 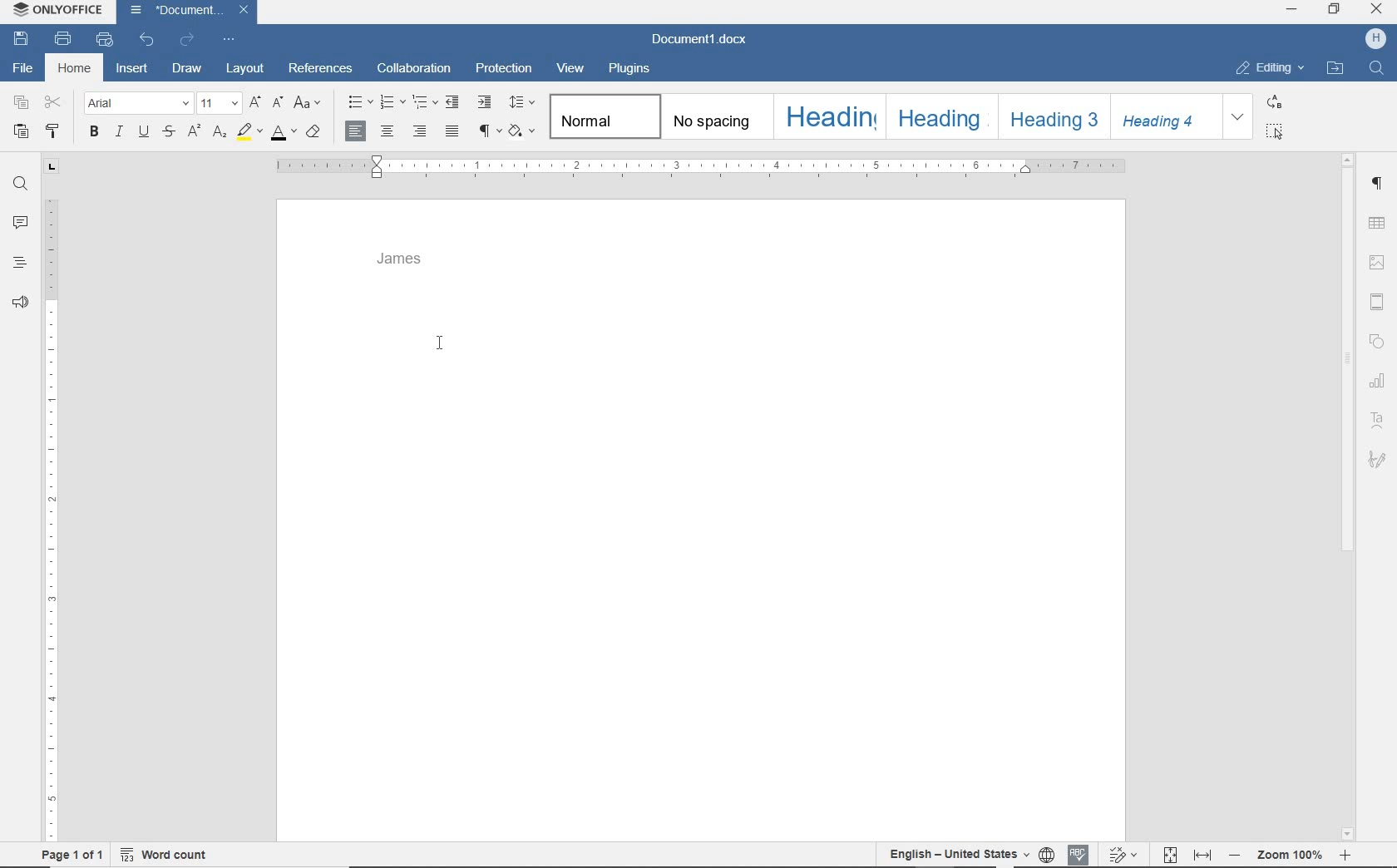 What do you see at coordinates (940, 116) in the screenshot?
I see `Heading2` at bounding box center [940, 116].